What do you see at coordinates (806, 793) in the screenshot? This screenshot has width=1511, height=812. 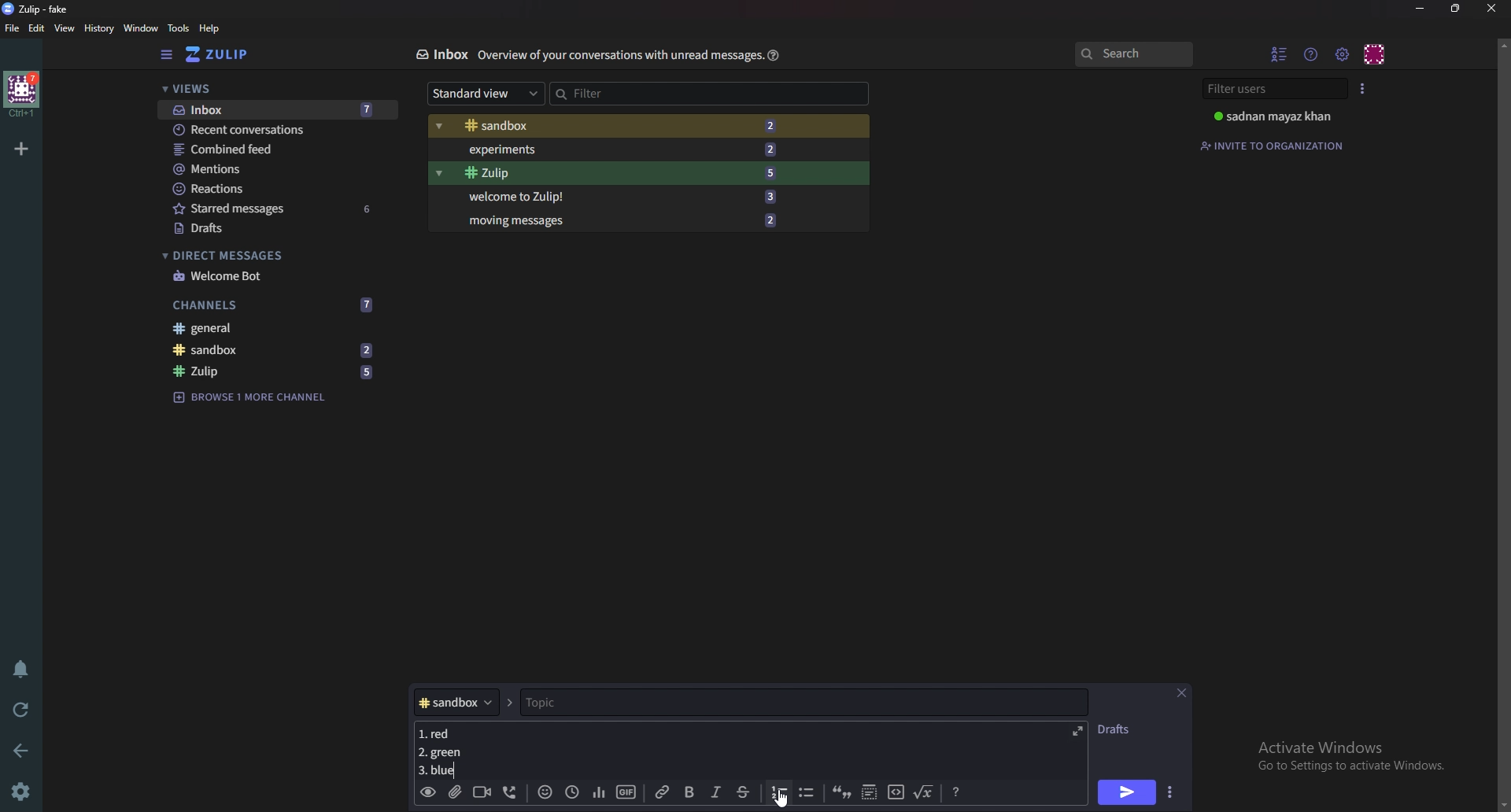 I see `Bullet list` at bounding box center [806, 793].